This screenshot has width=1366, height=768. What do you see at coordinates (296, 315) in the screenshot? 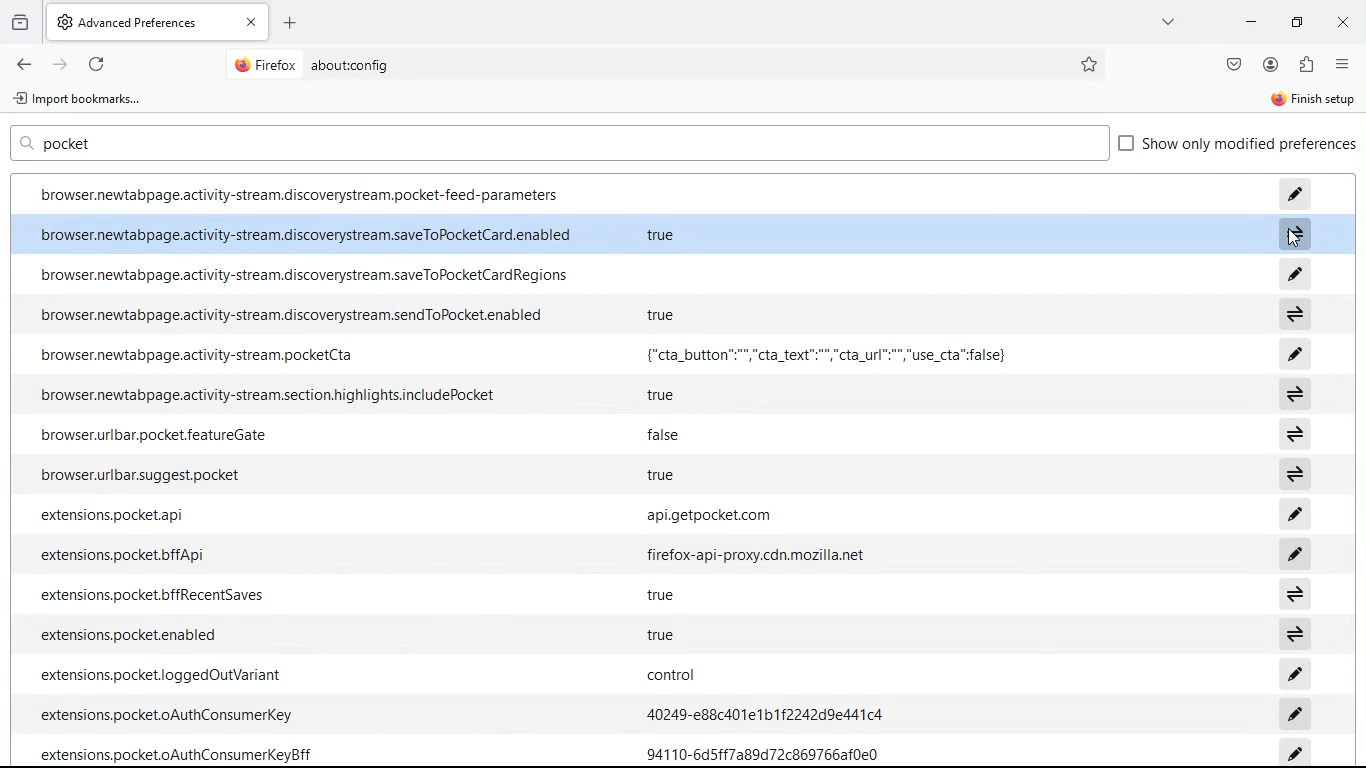
I see `browser.newtabpage.activity-stream.discoverystream.sendToPocket.enabled` at bounding box center [296, 315].